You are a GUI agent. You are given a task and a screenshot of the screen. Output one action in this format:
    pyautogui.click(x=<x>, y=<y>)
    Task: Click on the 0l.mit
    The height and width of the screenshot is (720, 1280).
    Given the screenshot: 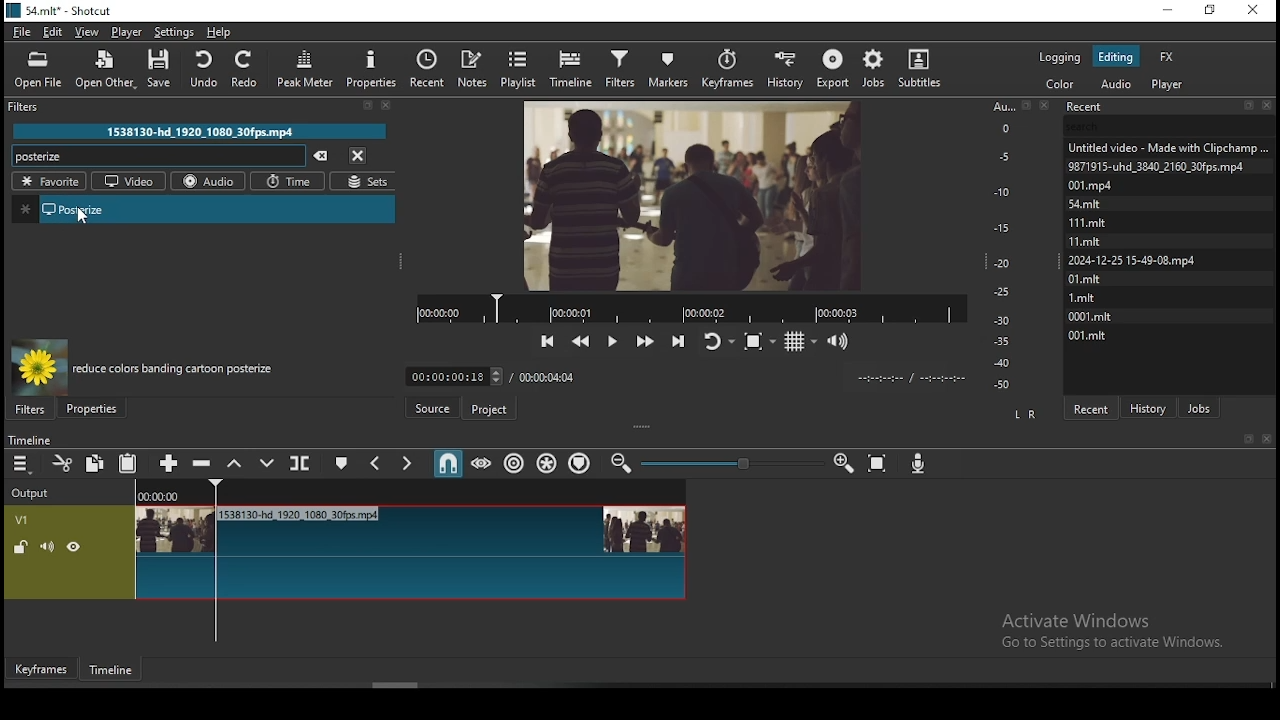 What is the action you would take?
    pyautogui.click(x=1085, y=278)
    